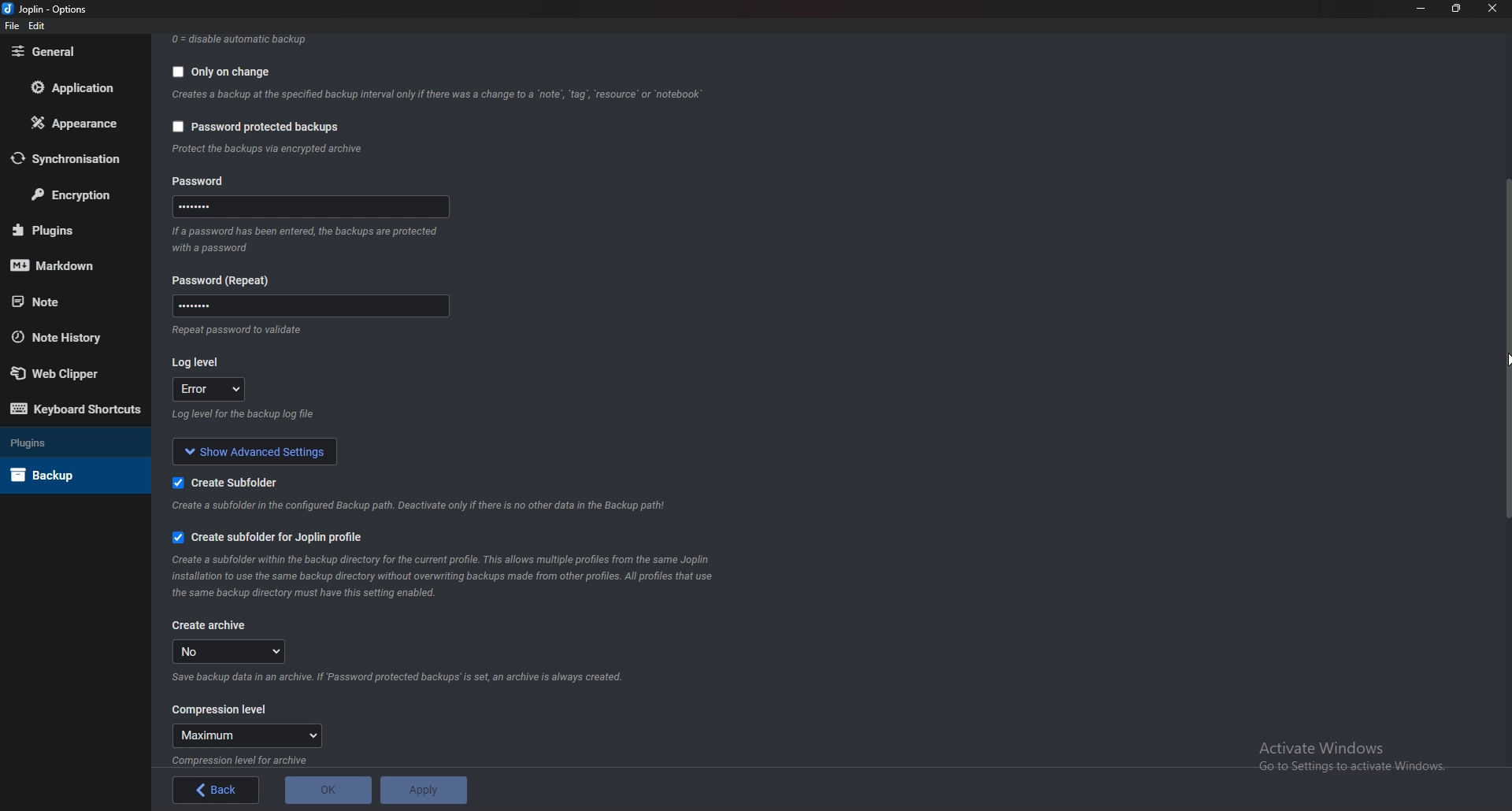 This screenshot has height=811, width=1512. I want to click on no, so click(233, 651).